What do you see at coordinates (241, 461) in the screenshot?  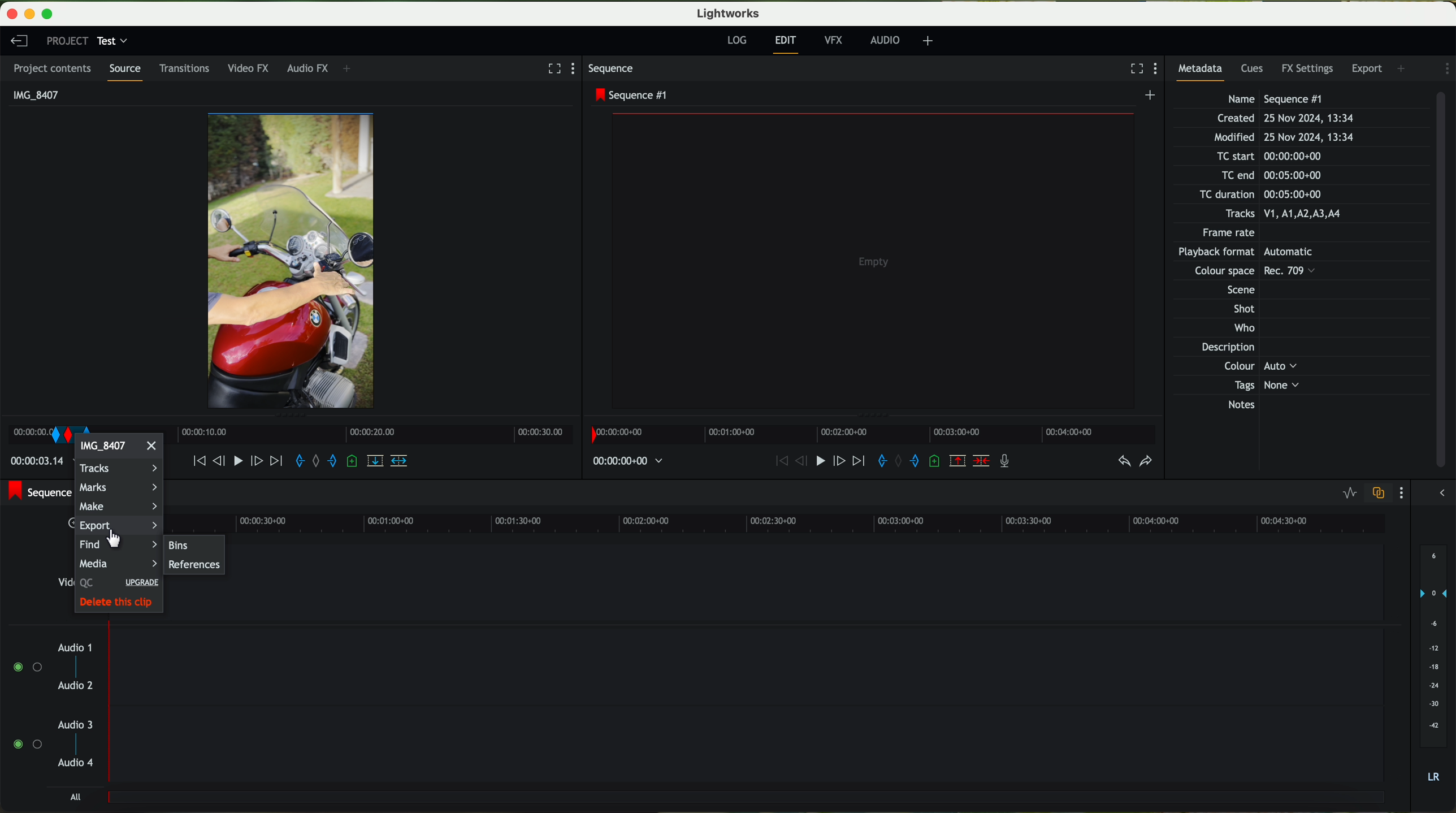 I see ` play` at bounding box center [241, 461].